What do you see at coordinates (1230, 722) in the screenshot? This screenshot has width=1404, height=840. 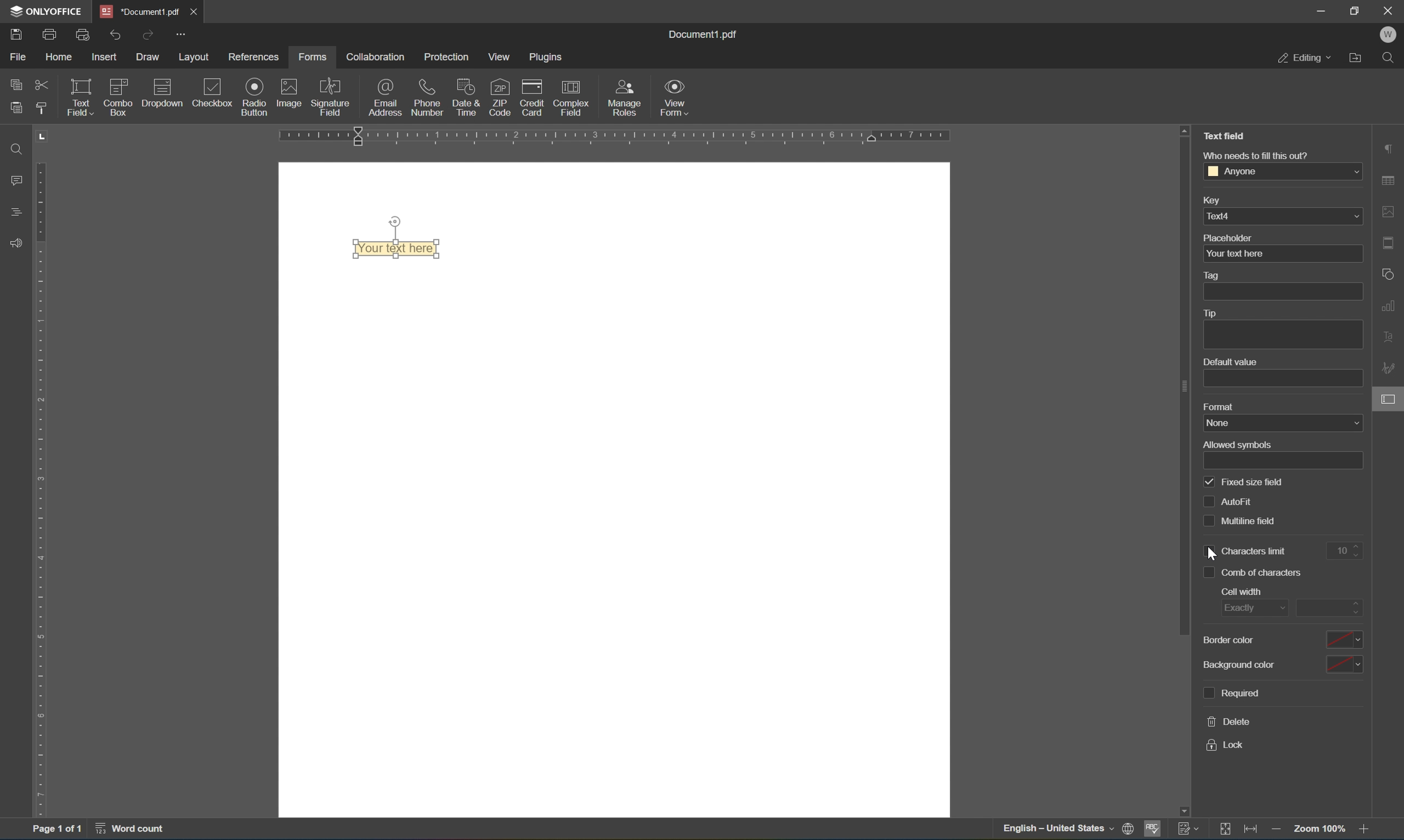 I see `delete` at bounding box center [1230, 722].